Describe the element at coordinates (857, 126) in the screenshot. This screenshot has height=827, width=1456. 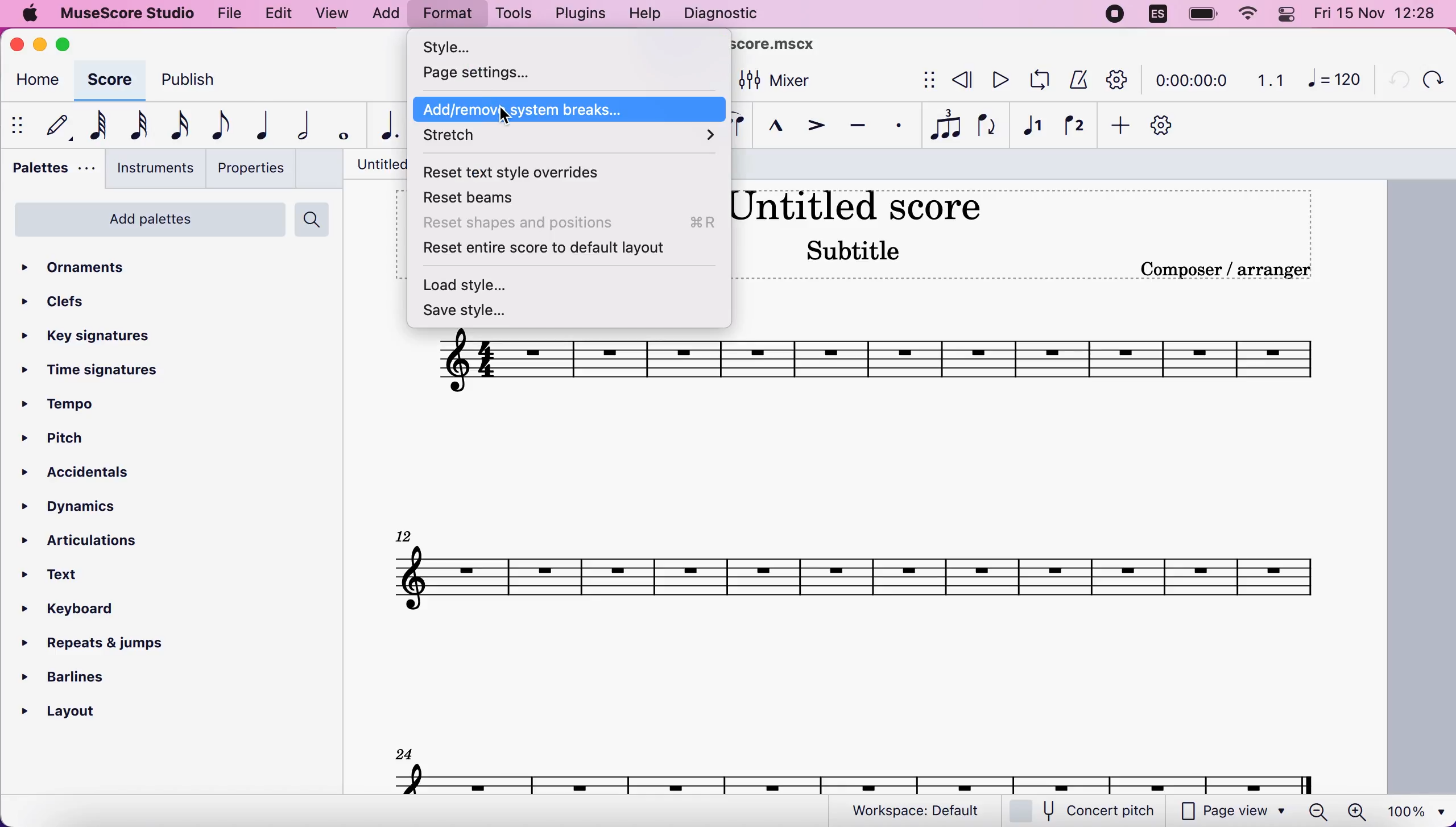
I see `tenuto` at that location.